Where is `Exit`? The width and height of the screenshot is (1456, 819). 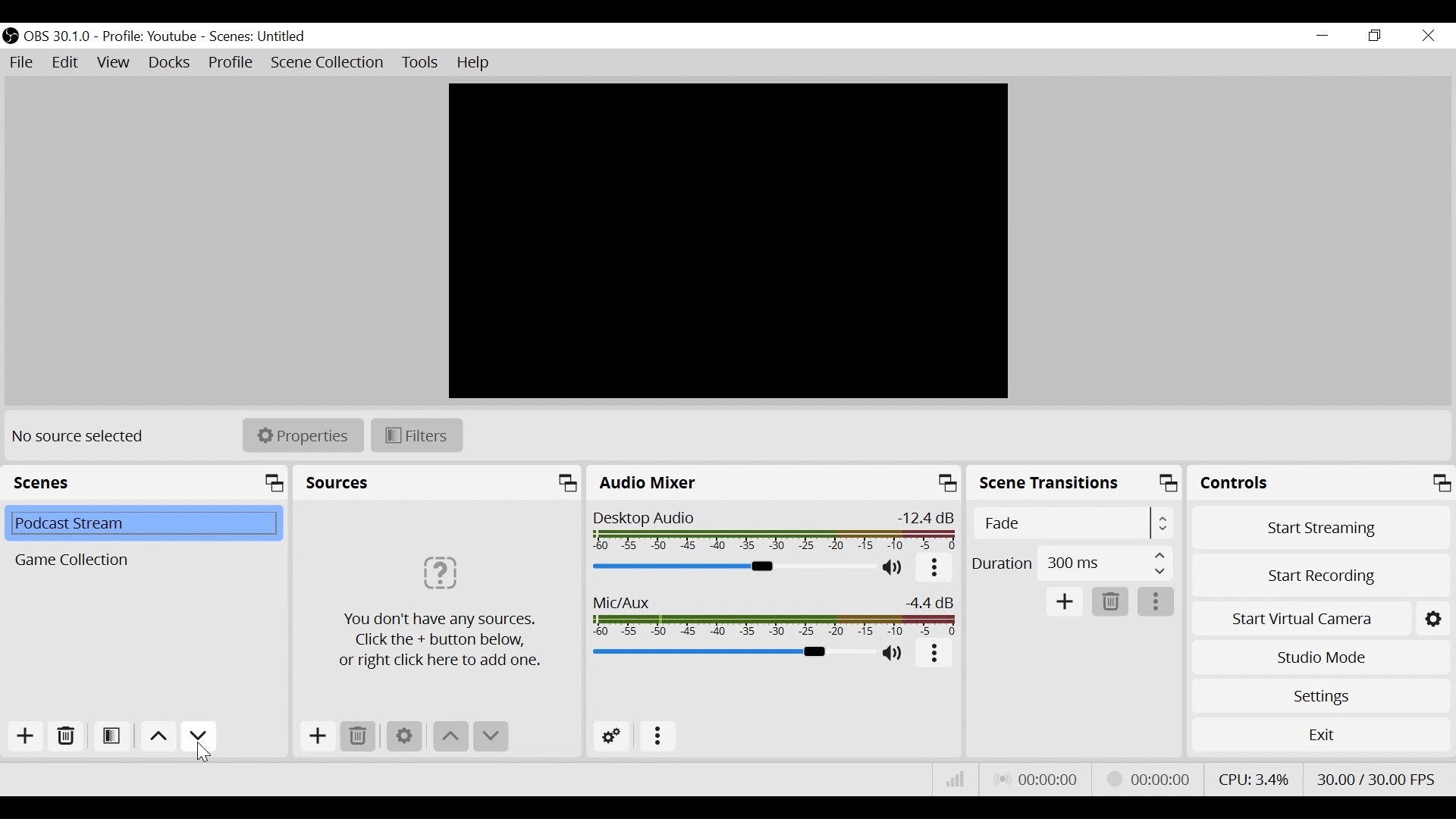
Exit is located at coordinates (1321, 734).